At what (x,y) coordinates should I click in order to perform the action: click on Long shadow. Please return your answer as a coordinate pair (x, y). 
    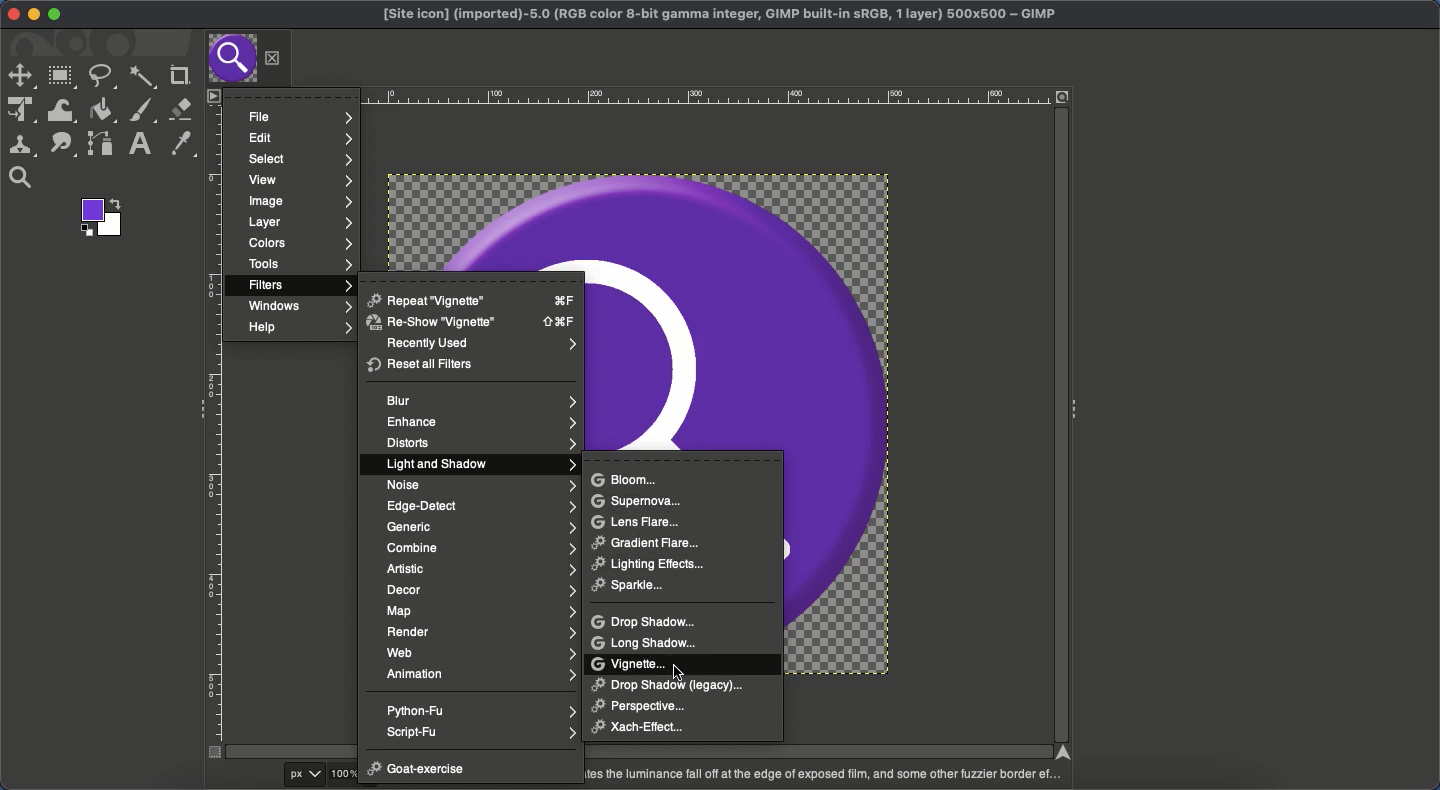
    Looking at the image, I should click on (647, 643).